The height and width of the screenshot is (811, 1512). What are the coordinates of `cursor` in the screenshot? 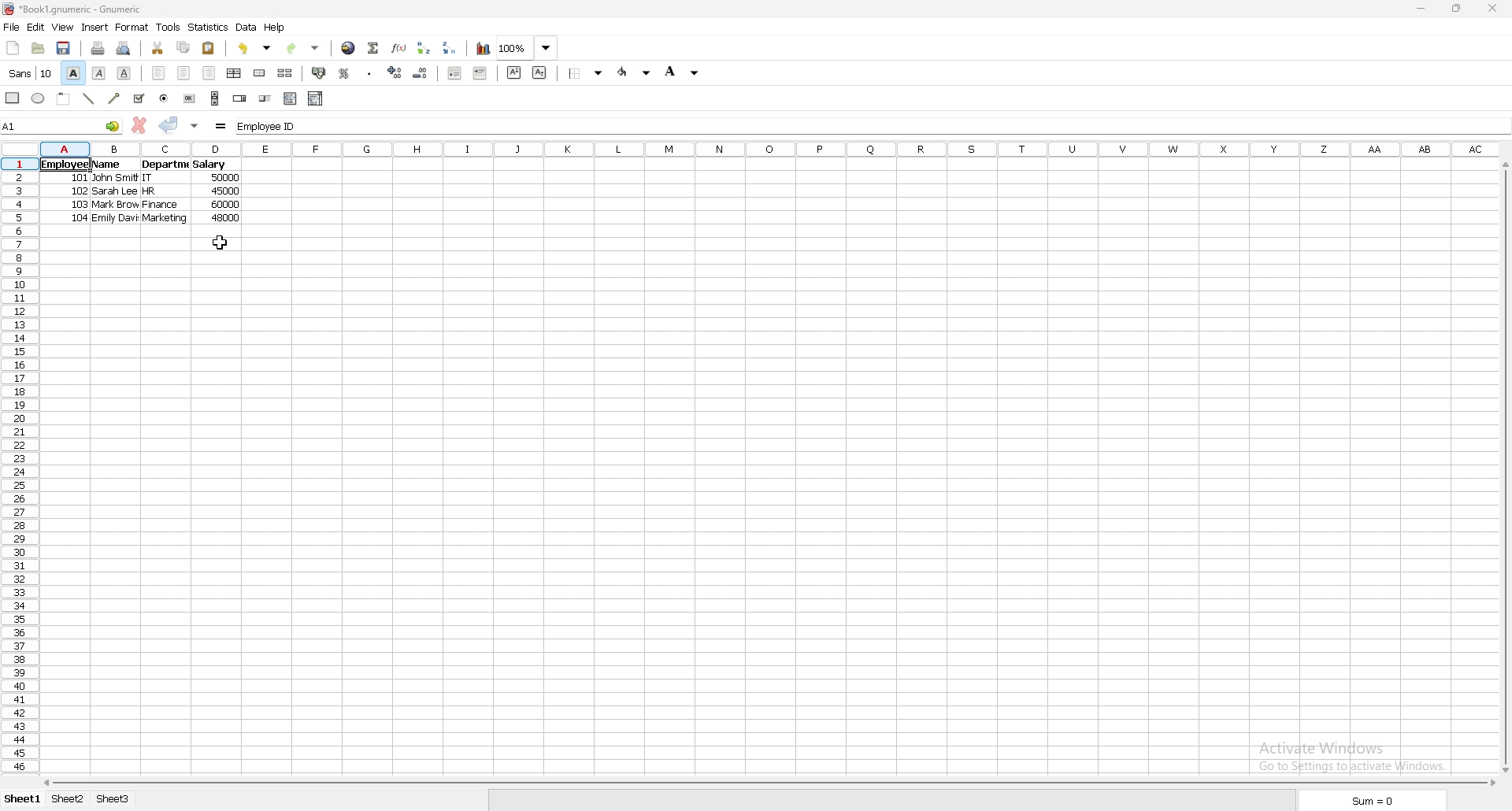 It's located at (218, 243).